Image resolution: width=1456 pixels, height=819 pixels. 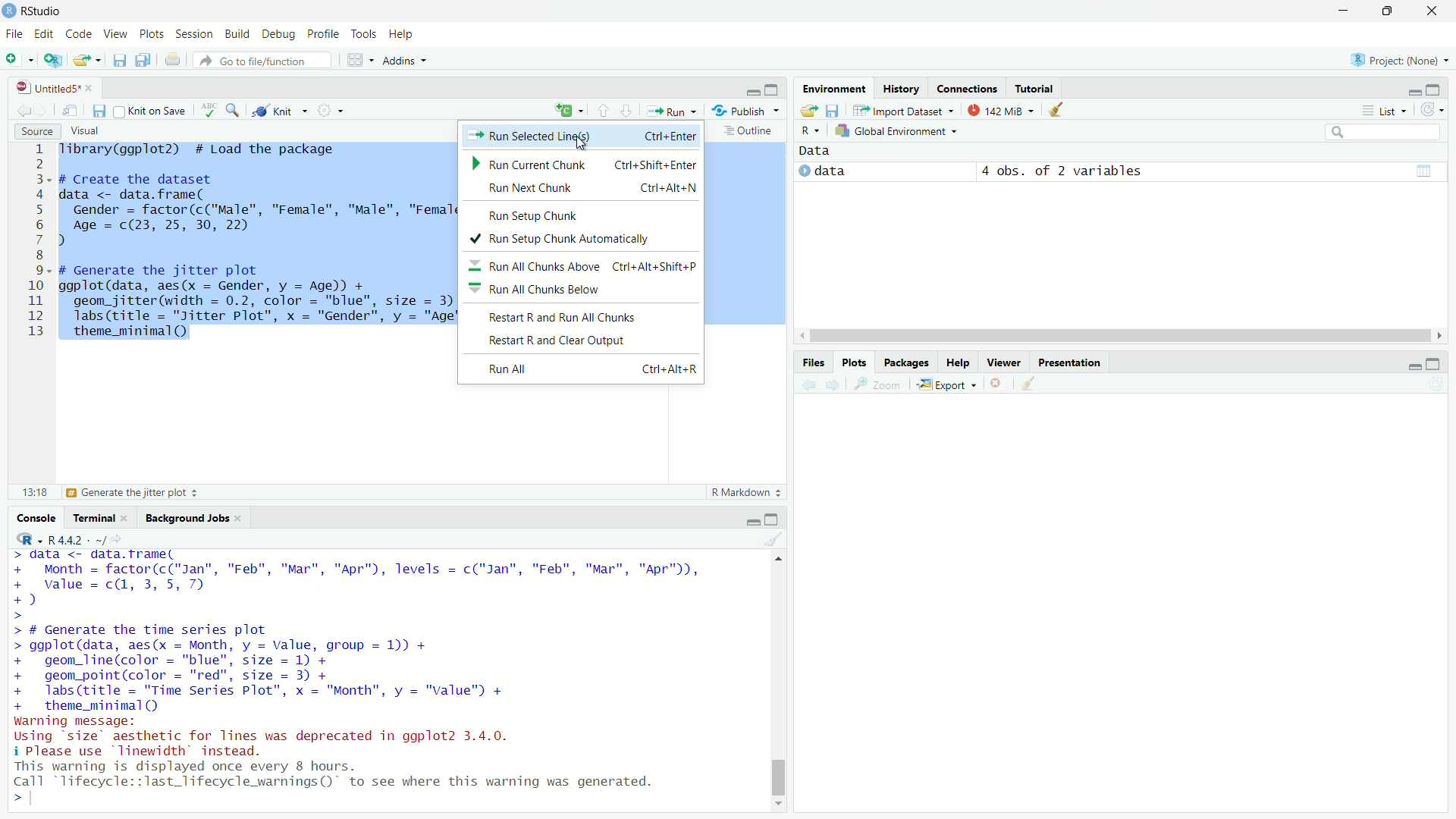 I want to click on import dataset, so click(x=903, y=110).